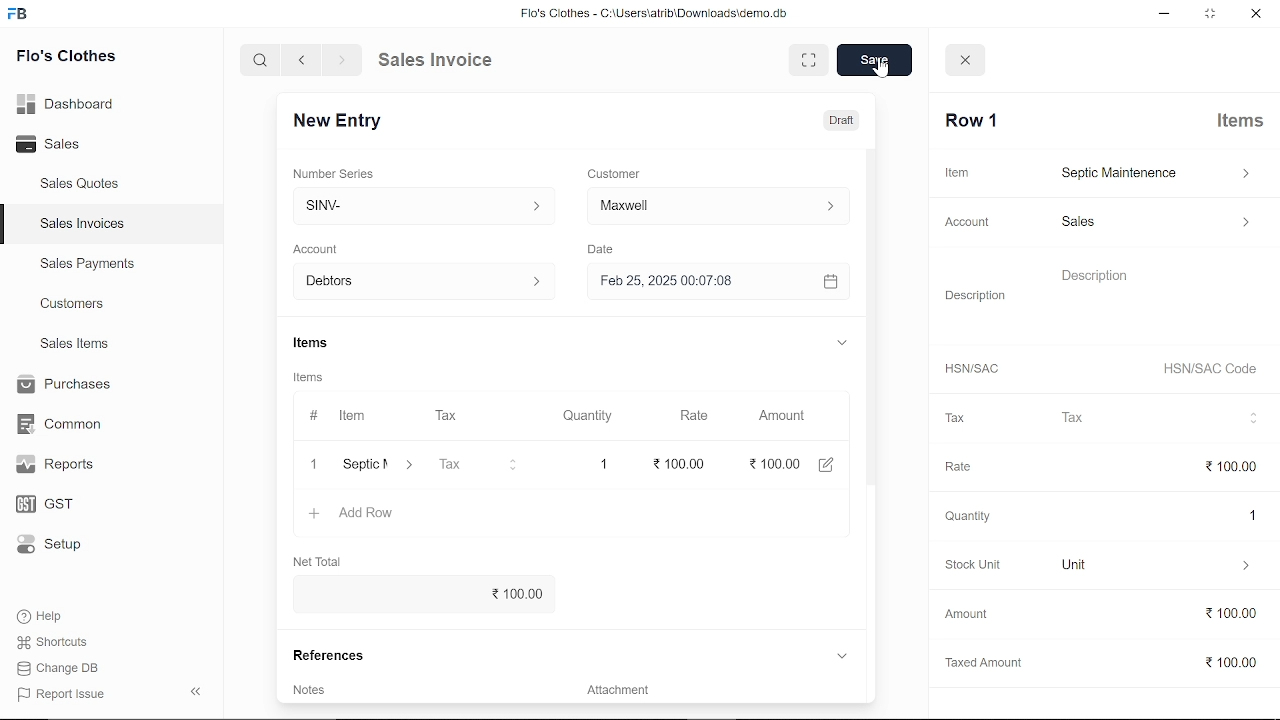 Image resolution: width=1280 pixels, height=720 pixels. What do you see at coordinates (972, 369) in the screenshot?
I see `HSNISAC` at bounding box center [972, 369].